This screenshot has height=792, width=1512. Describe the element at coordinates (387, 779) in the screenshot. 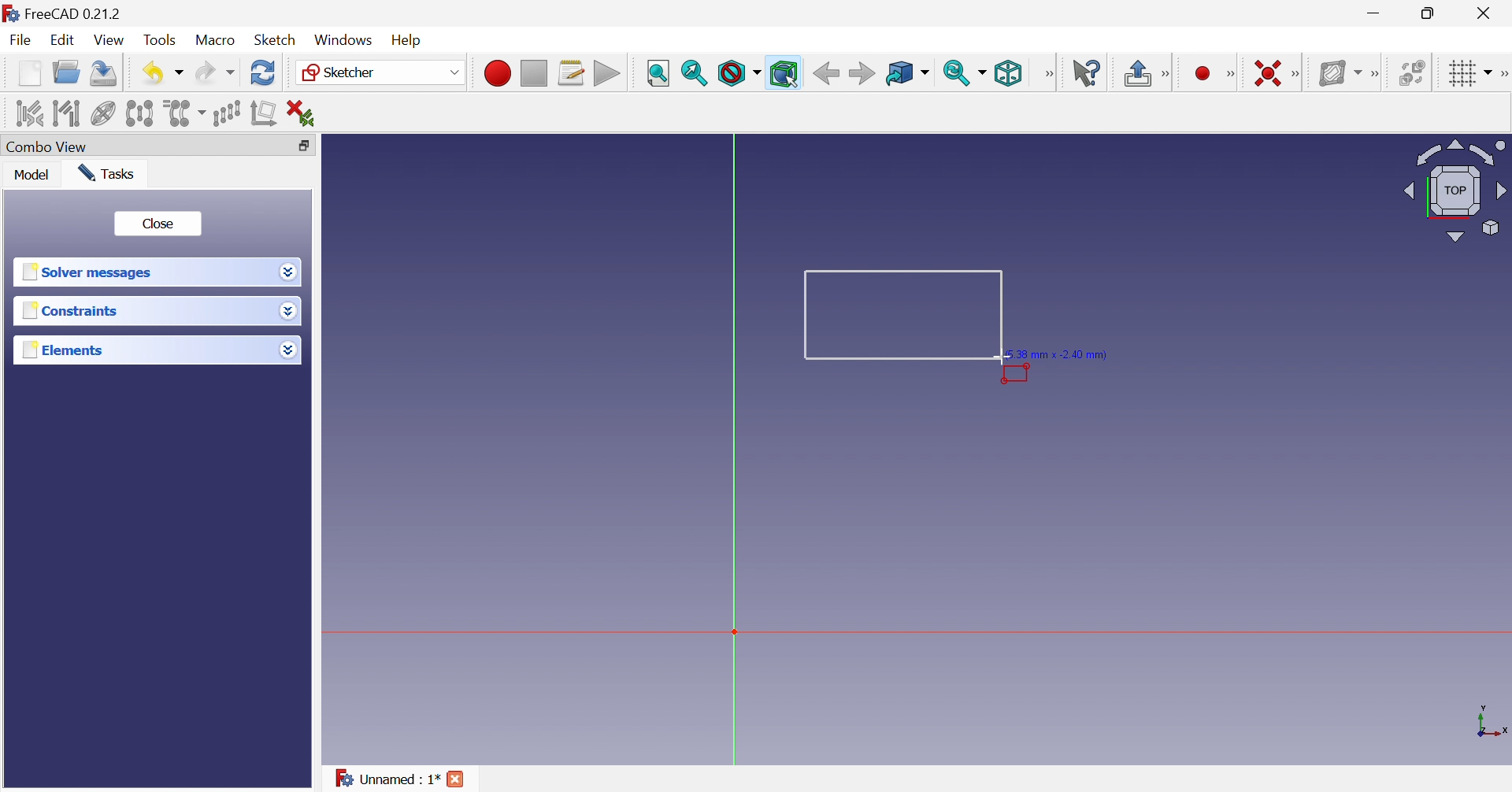

I see `Unnamed : 1` at that location.